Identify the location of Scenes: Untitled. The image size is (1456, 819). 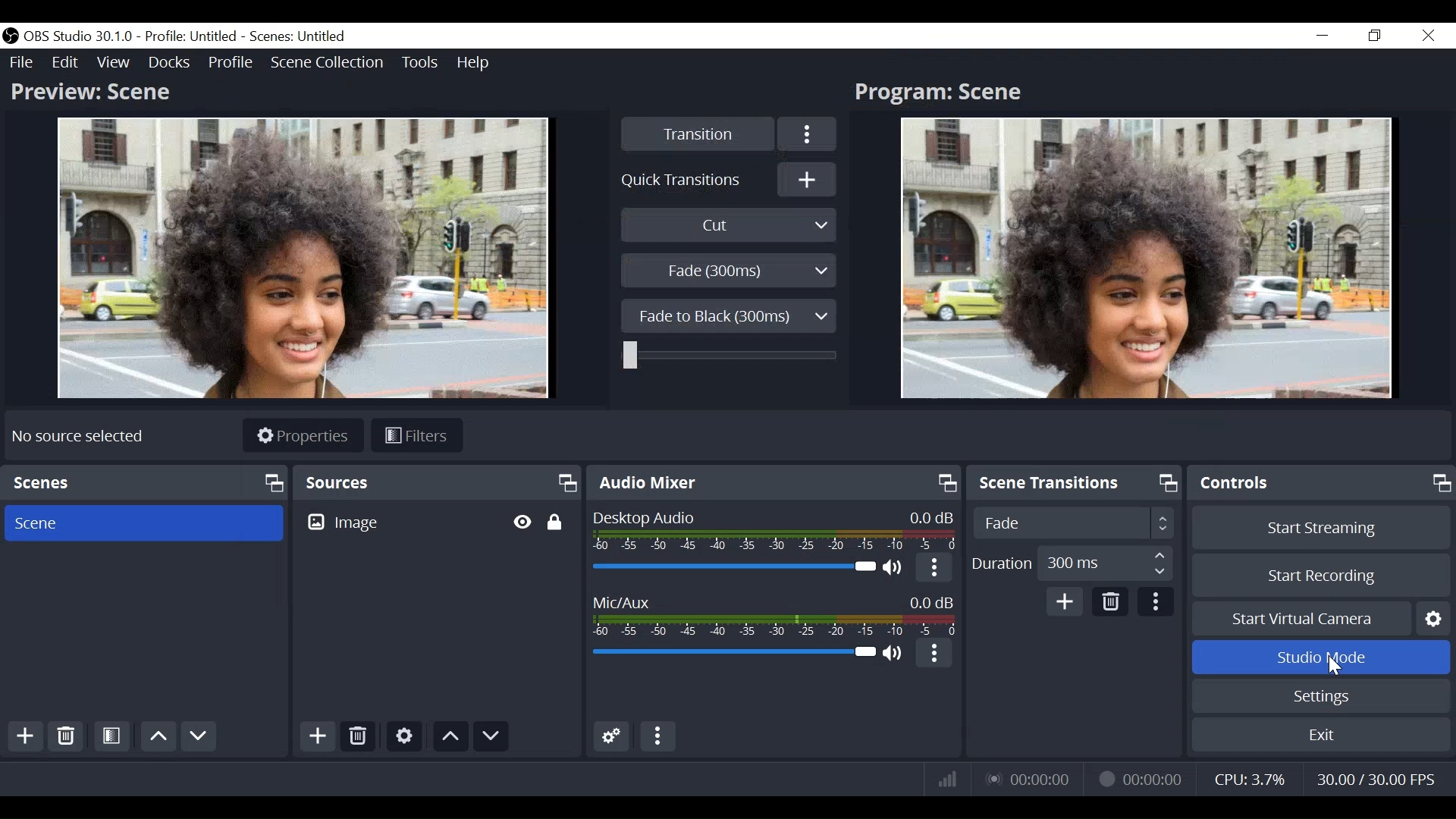
(307, 36).